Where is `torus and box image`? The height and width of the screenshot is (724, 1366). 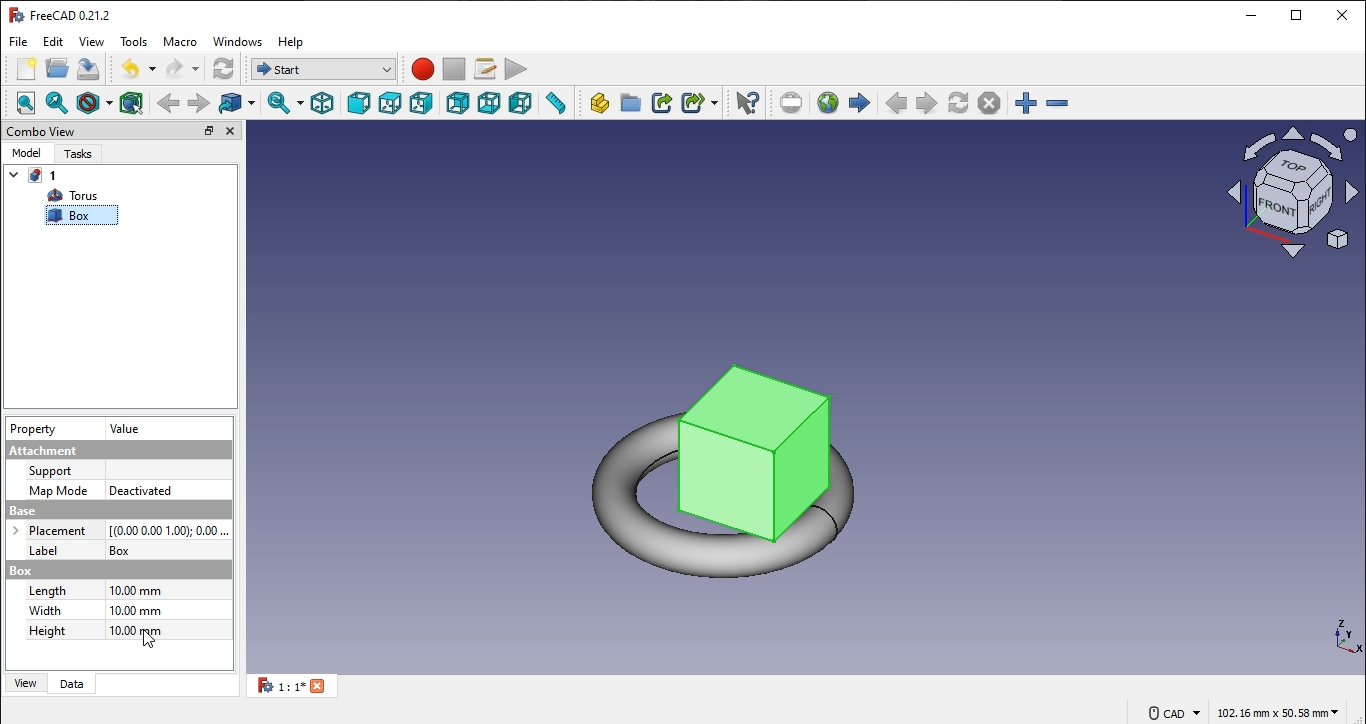
torus and box image is located at coordinates (744, 447).